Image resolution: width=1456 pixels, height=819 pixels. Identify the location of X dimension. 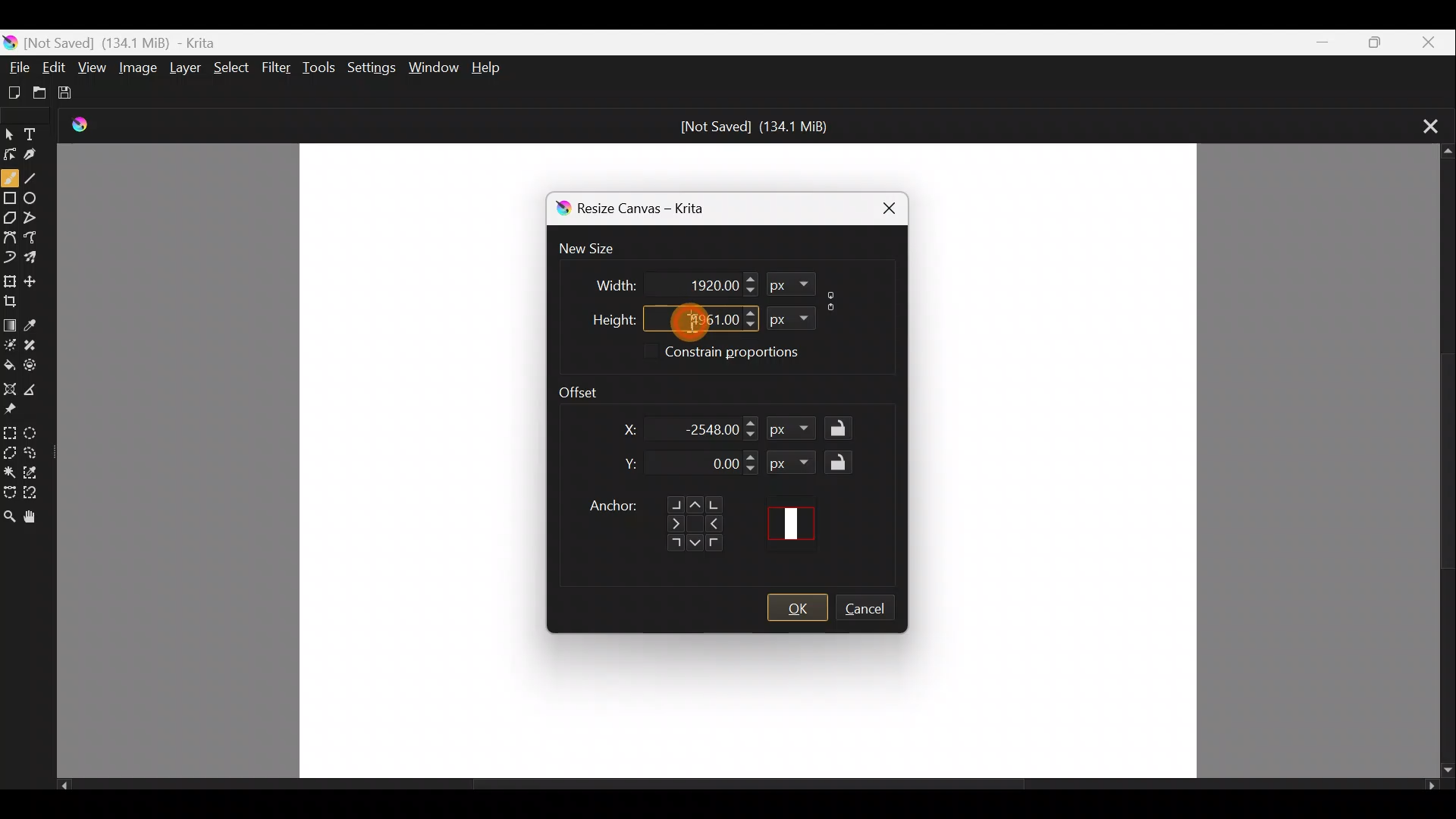
(620, 429).